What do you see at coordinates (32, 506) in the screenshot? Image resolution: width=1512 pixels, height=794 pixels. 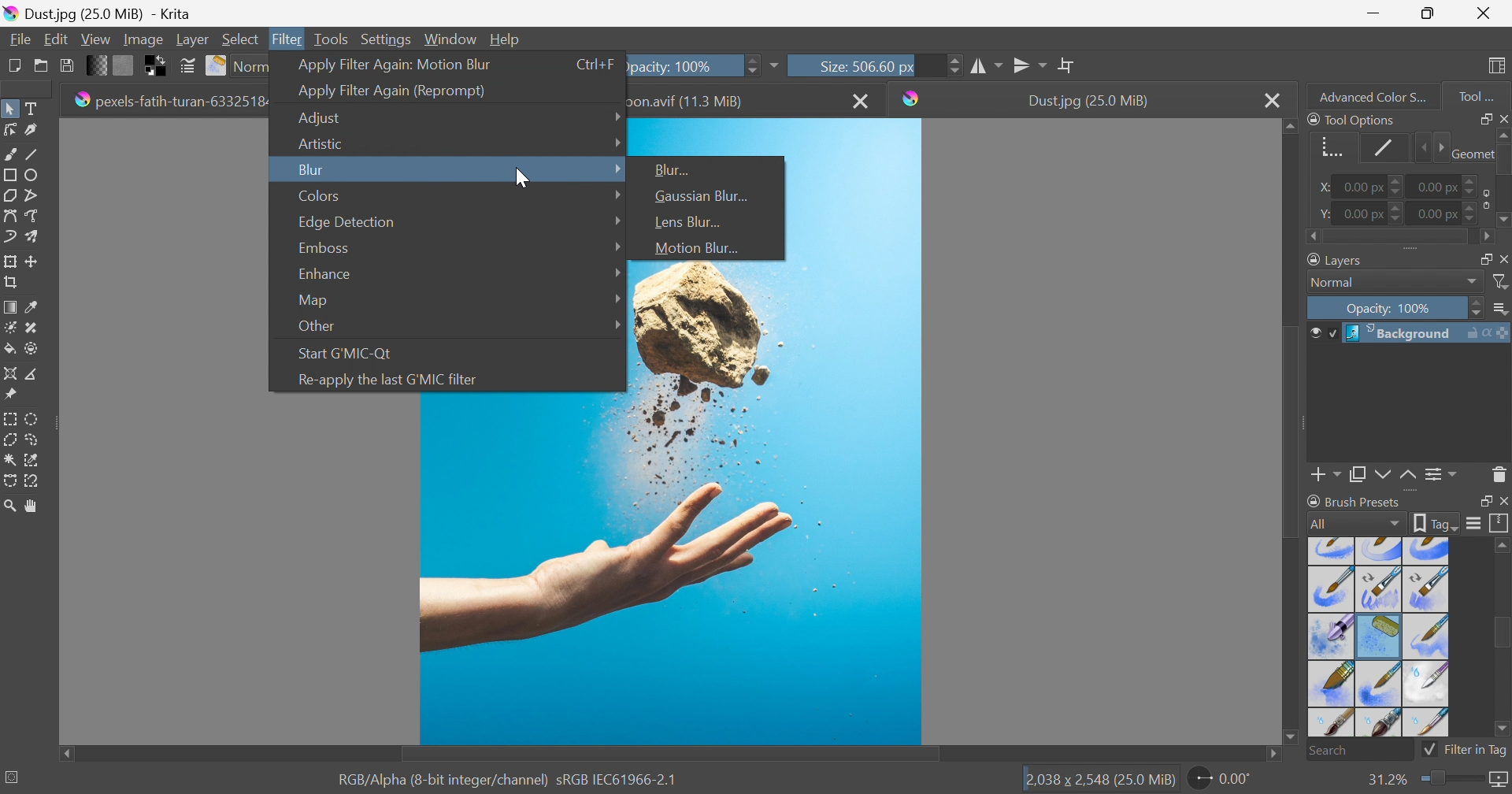 I see `Pan tool` at bounding box center [32, 506].